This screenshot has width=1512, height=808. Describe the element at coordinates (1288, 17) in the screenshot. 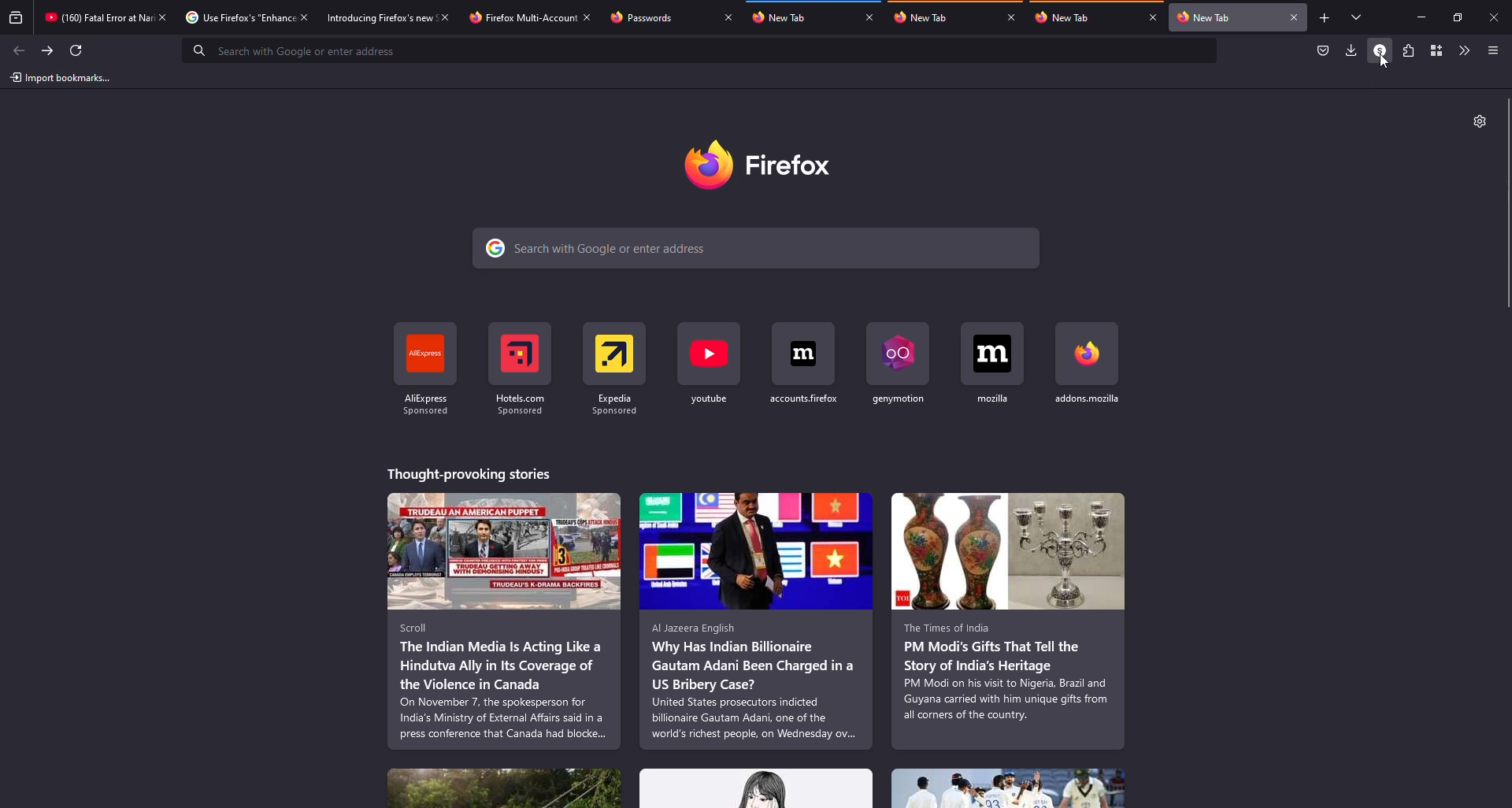

I see `close` at that location.